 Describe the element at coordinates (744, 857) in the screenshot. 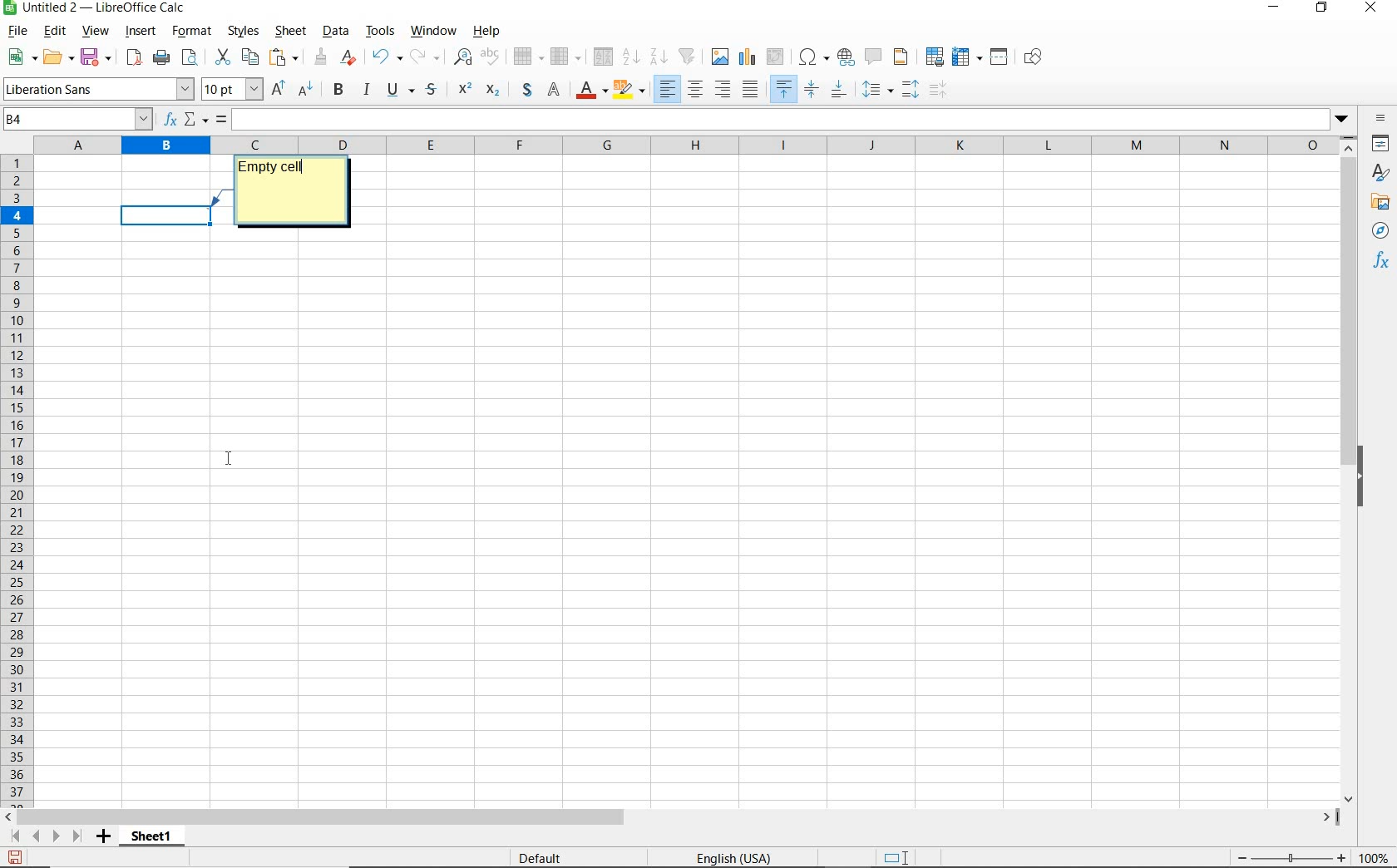

I see `English(USA)` at that location.